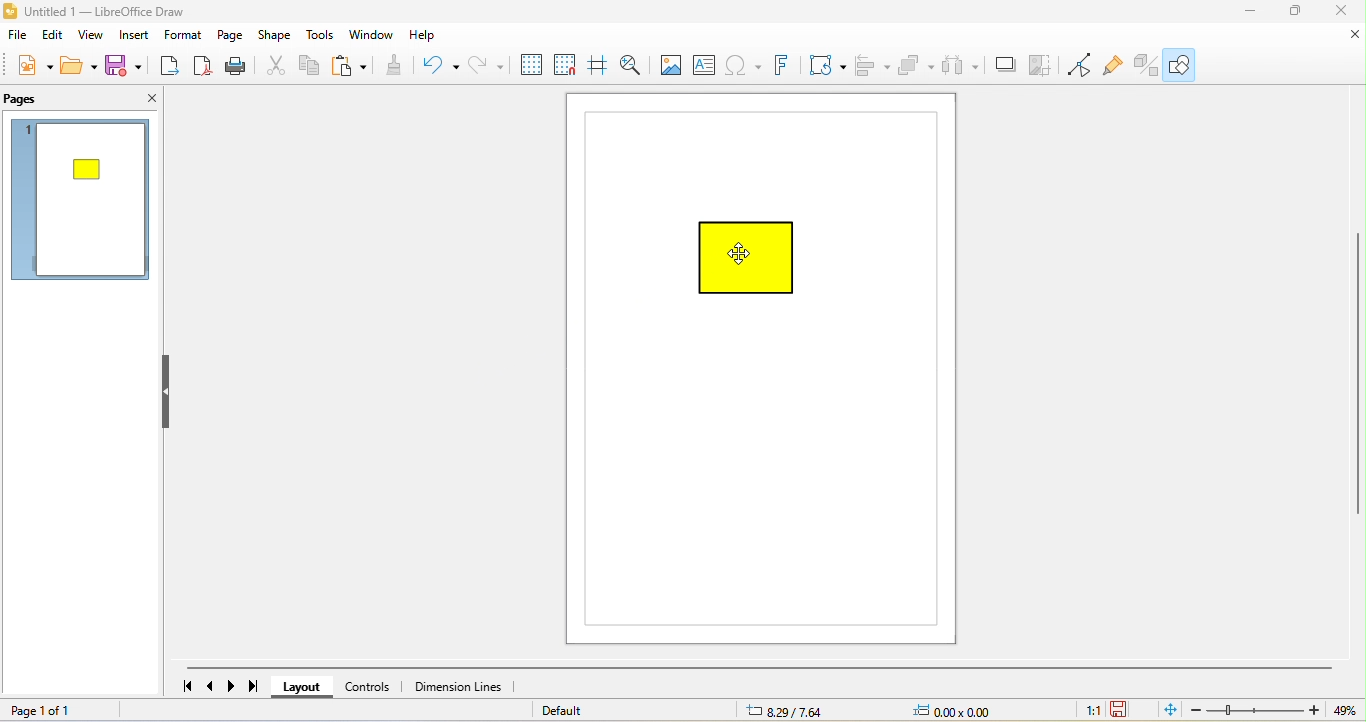 Image resolution: width=1366 pixels, height=722 pixels. I want to click on text box, so click(706, 64).